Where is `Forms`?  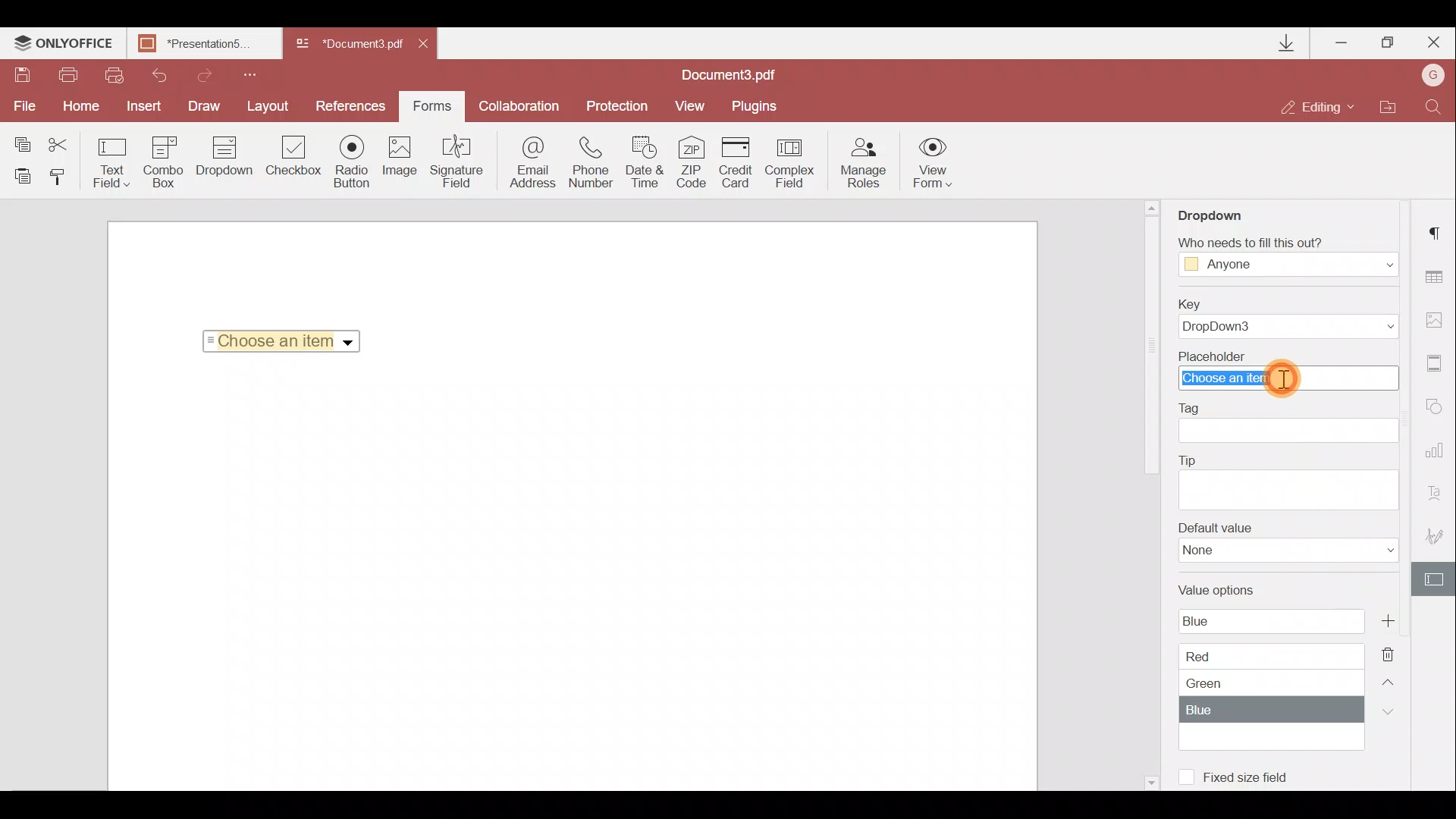 Forms is located at coordinates (432, 106).